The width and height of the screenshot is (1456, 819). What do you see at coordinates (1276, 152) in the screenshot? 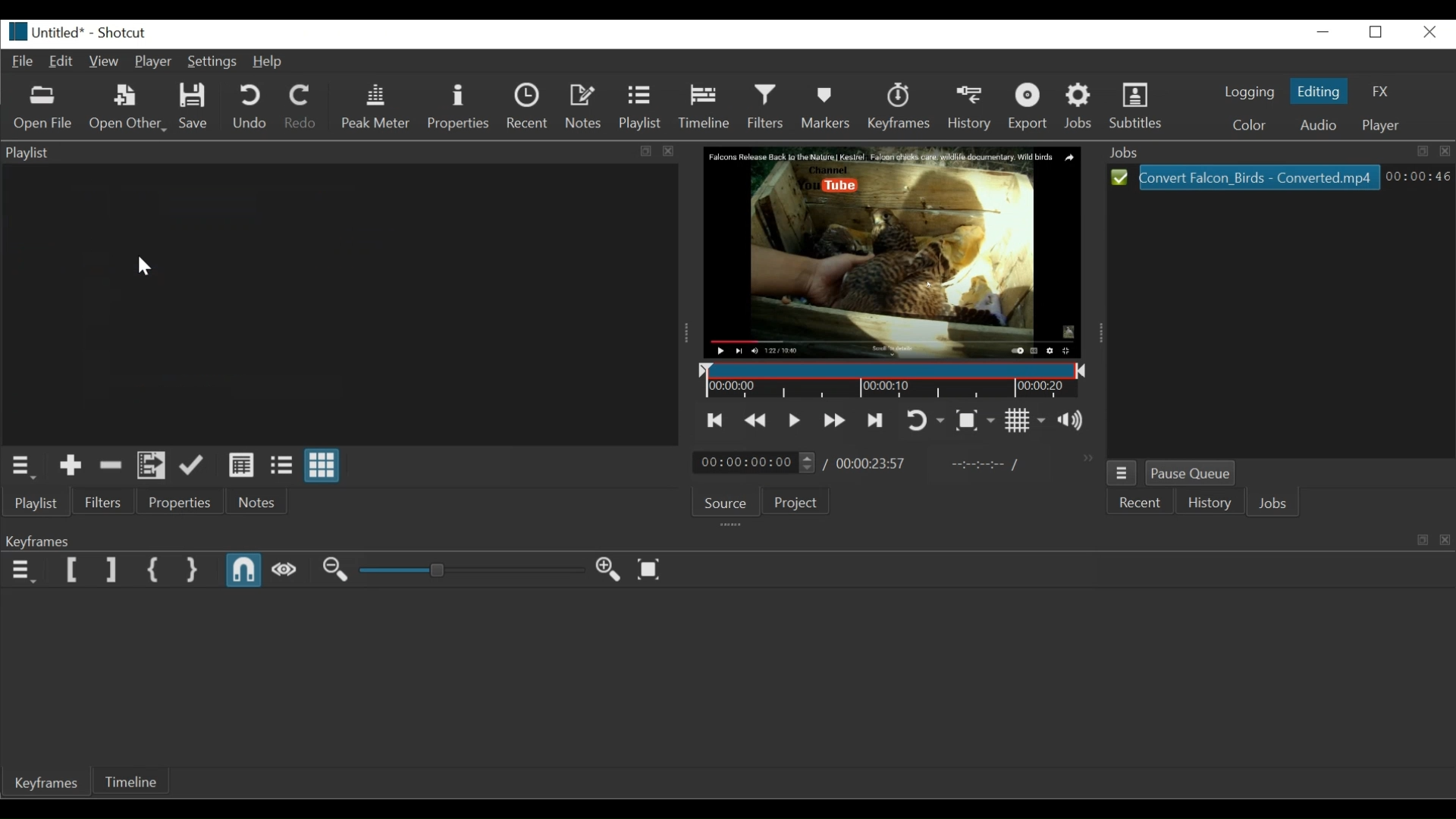
I see `Jobs` at bounding box center [1276, 152].